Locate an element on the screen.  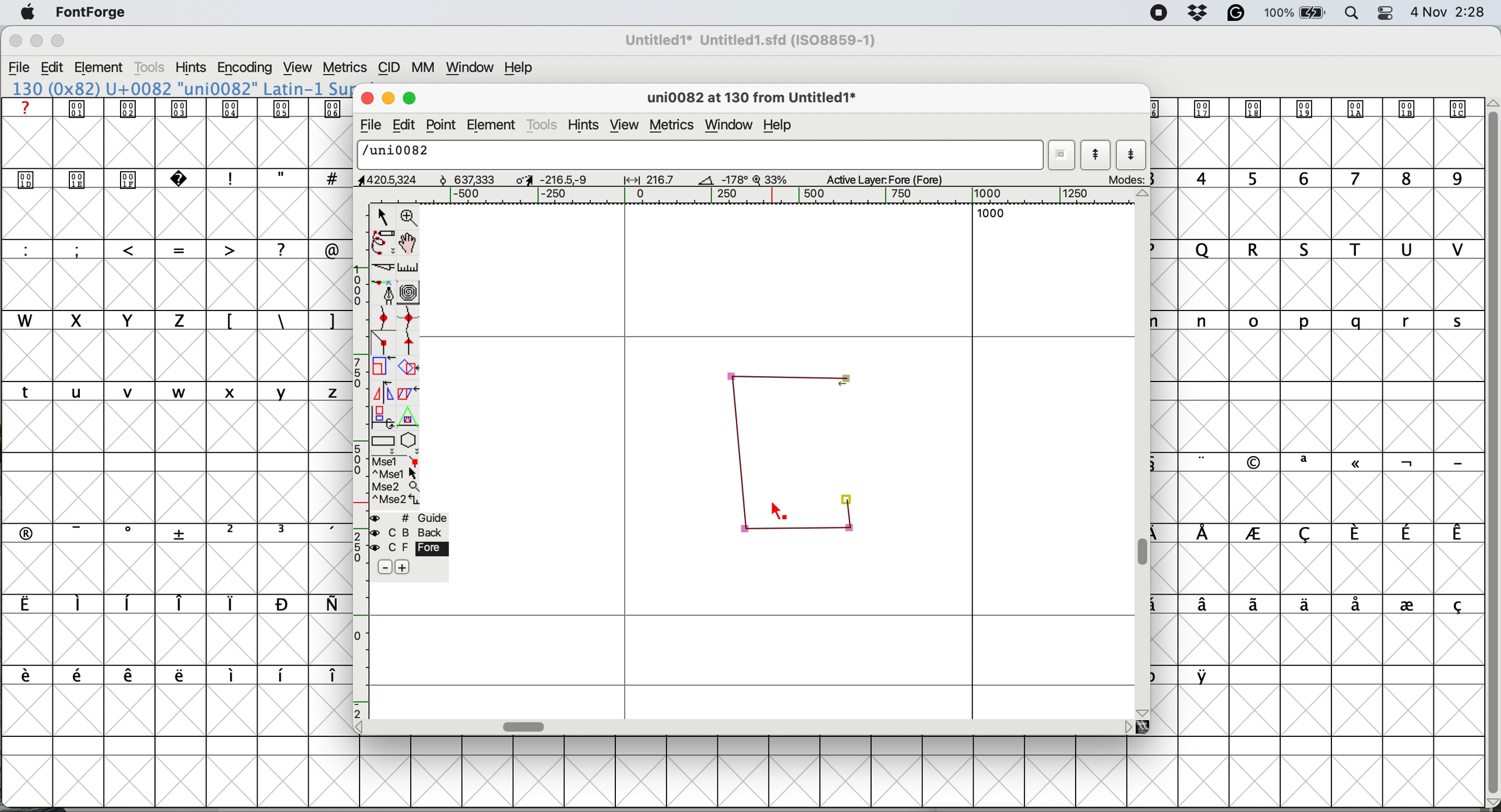
corner points connected is located at coordinates (741, 454).